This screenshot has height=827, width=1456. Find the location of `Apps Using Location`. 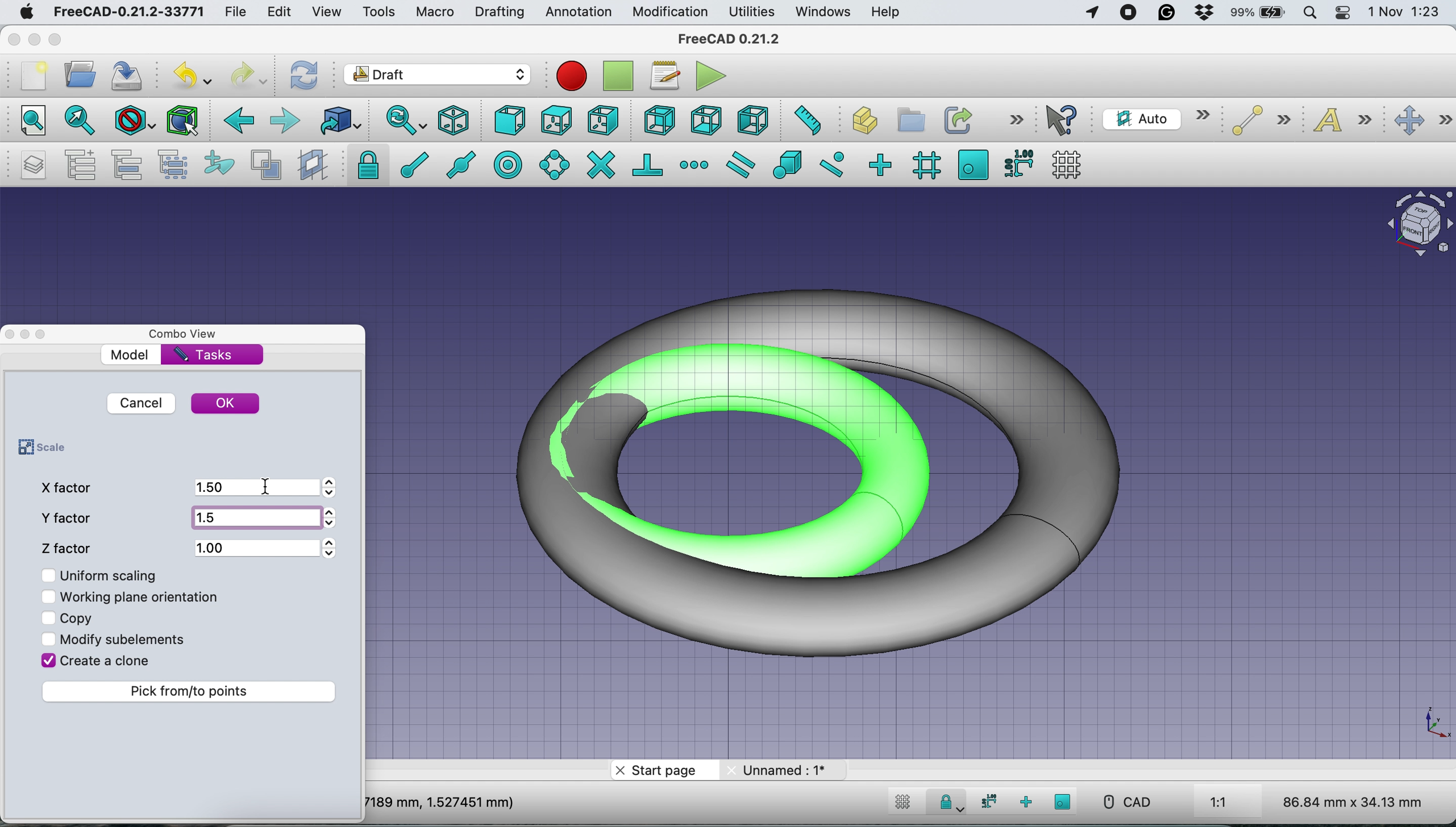

Apps Using Location is located at coordinates (1092, 14).